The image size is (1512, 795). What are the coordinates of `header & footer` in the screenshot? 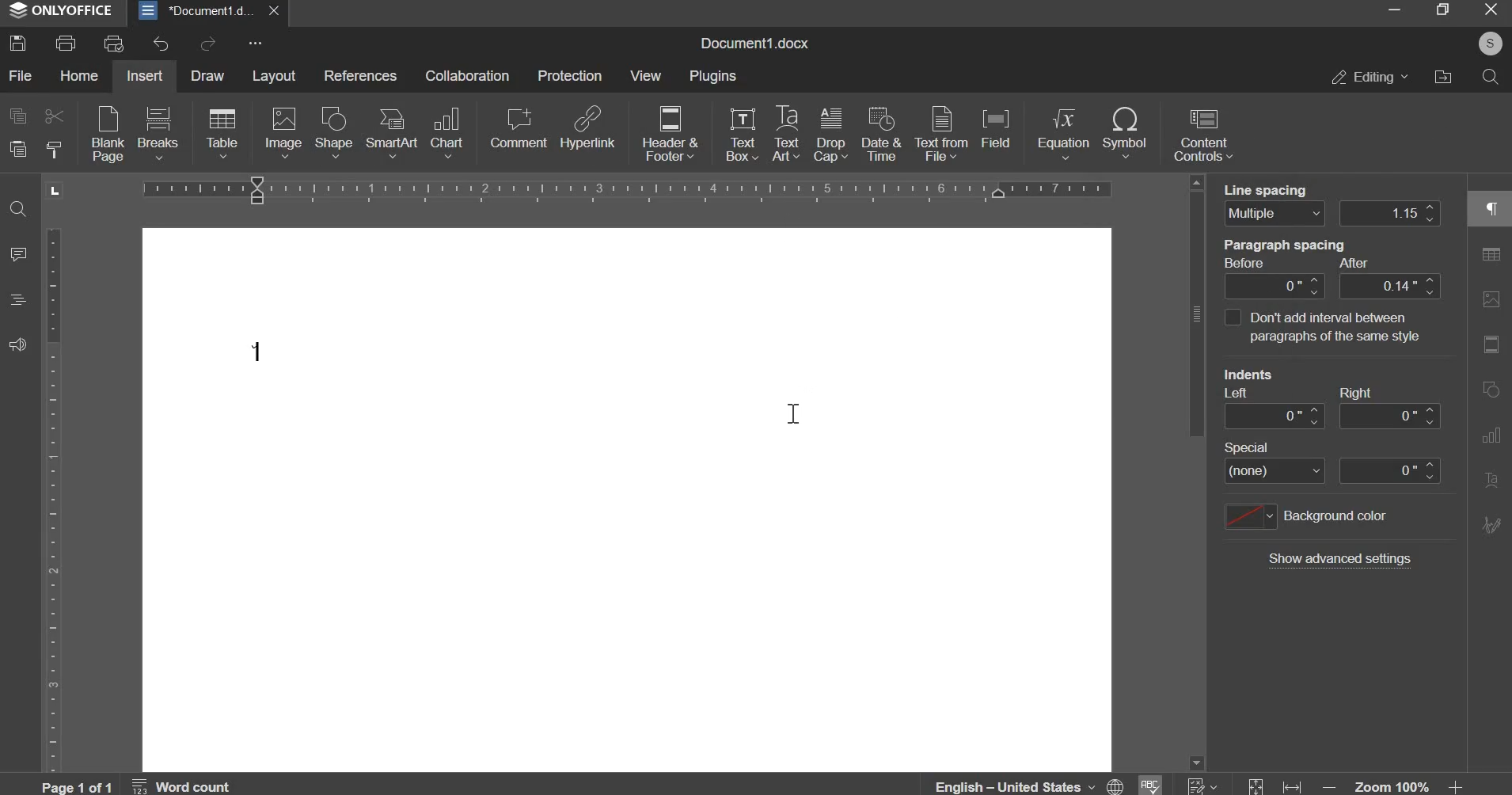 It's located at (671, 131).